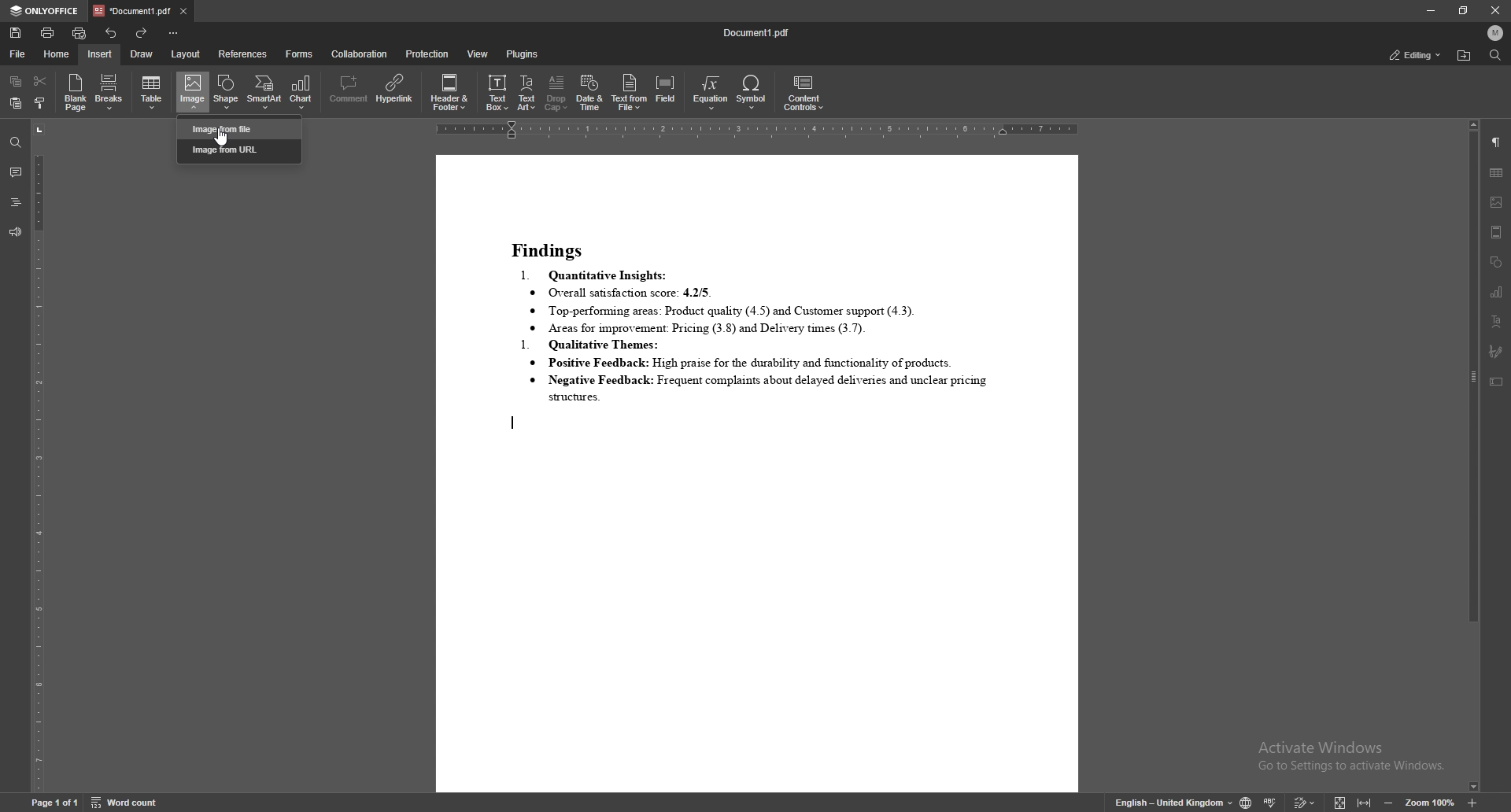  Describe the element at coordinates (1495, 54) in the screenshot. I see `find` at that location.